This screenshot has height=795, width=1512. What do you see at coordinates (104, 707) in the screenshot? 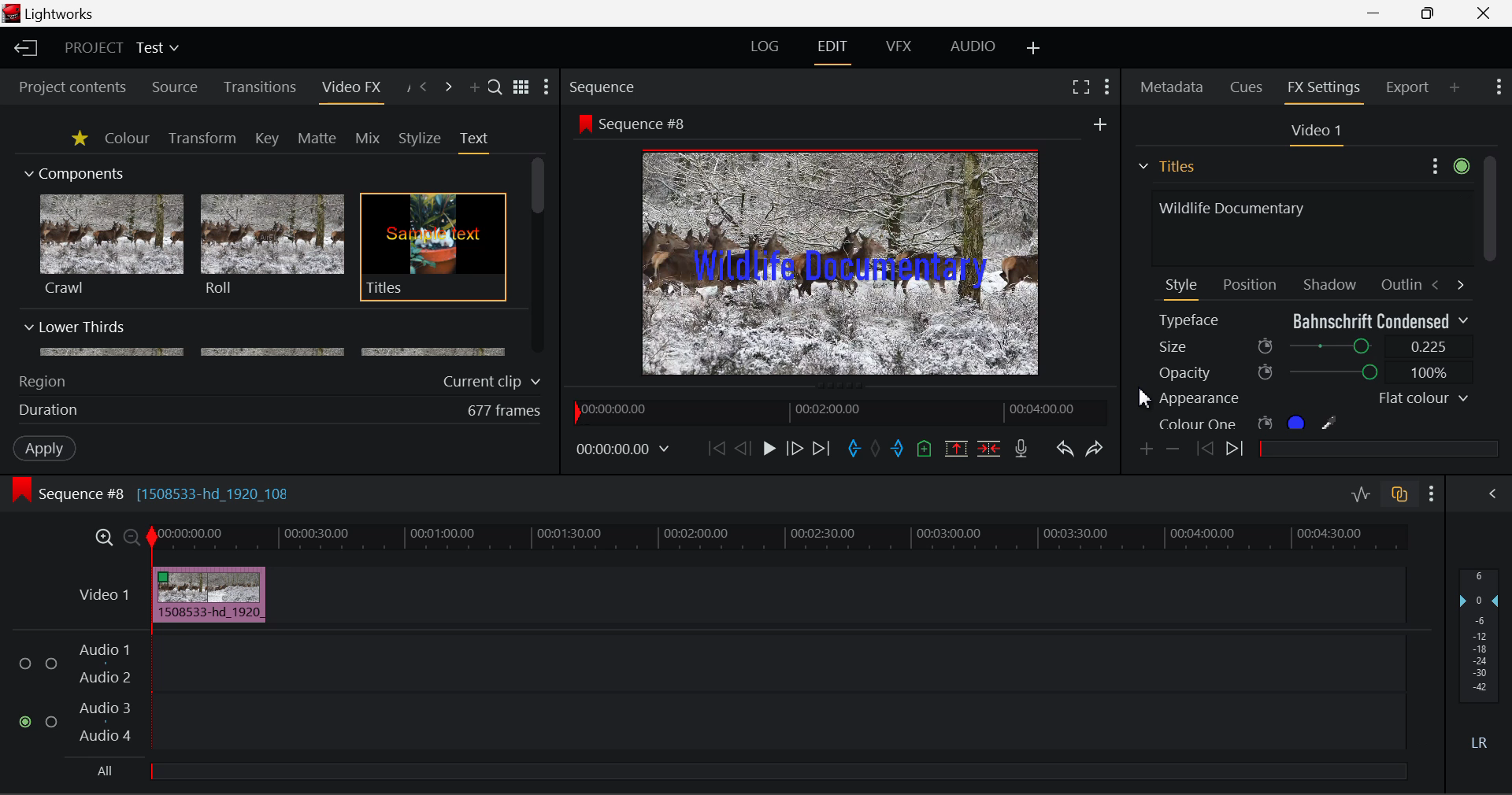
I see `Audio 3` at bounding box center [104, 707].